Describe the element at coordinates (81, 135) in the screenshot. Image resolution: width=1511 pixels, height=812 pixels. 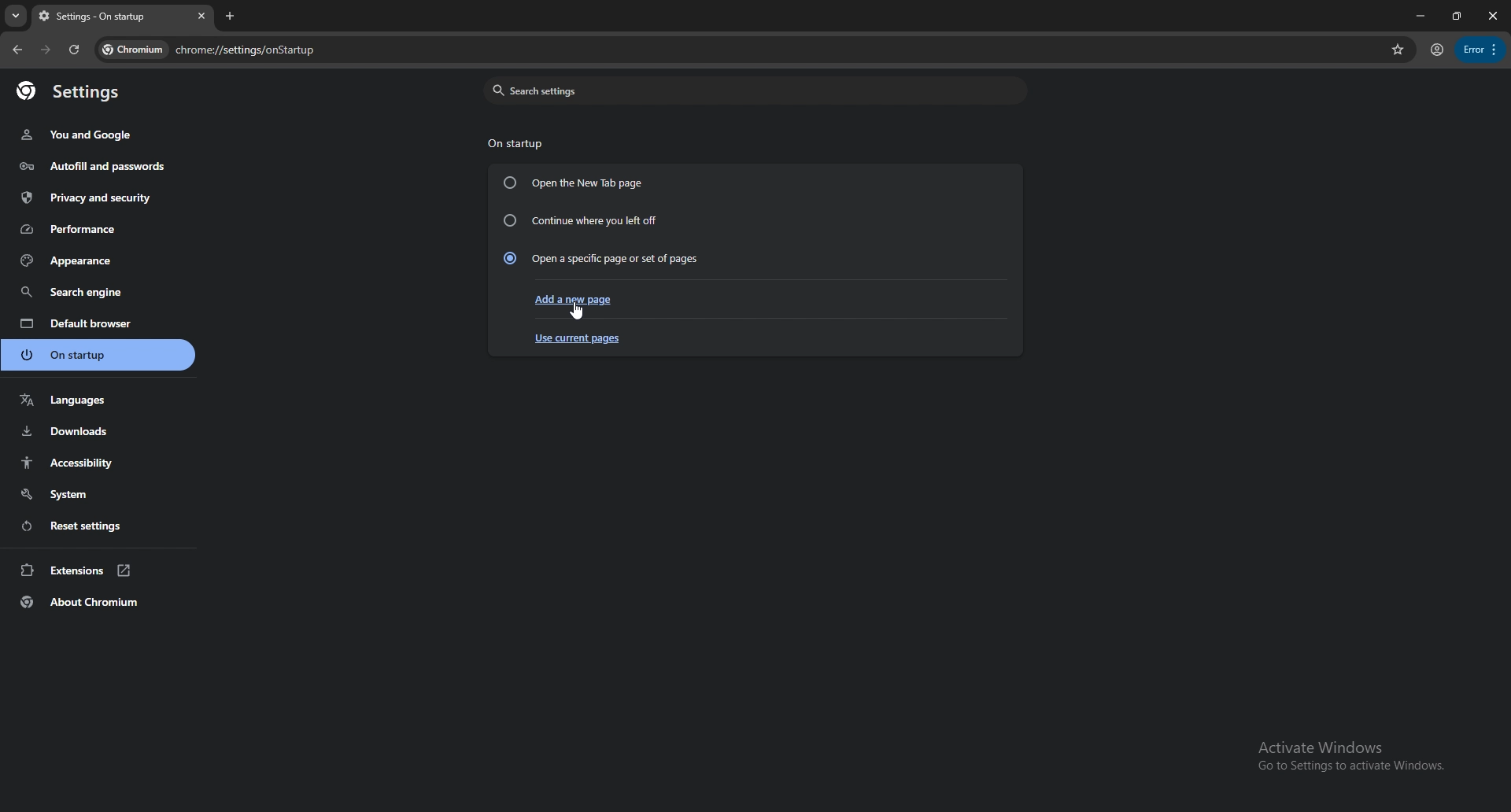
I see `you and google` at that location.